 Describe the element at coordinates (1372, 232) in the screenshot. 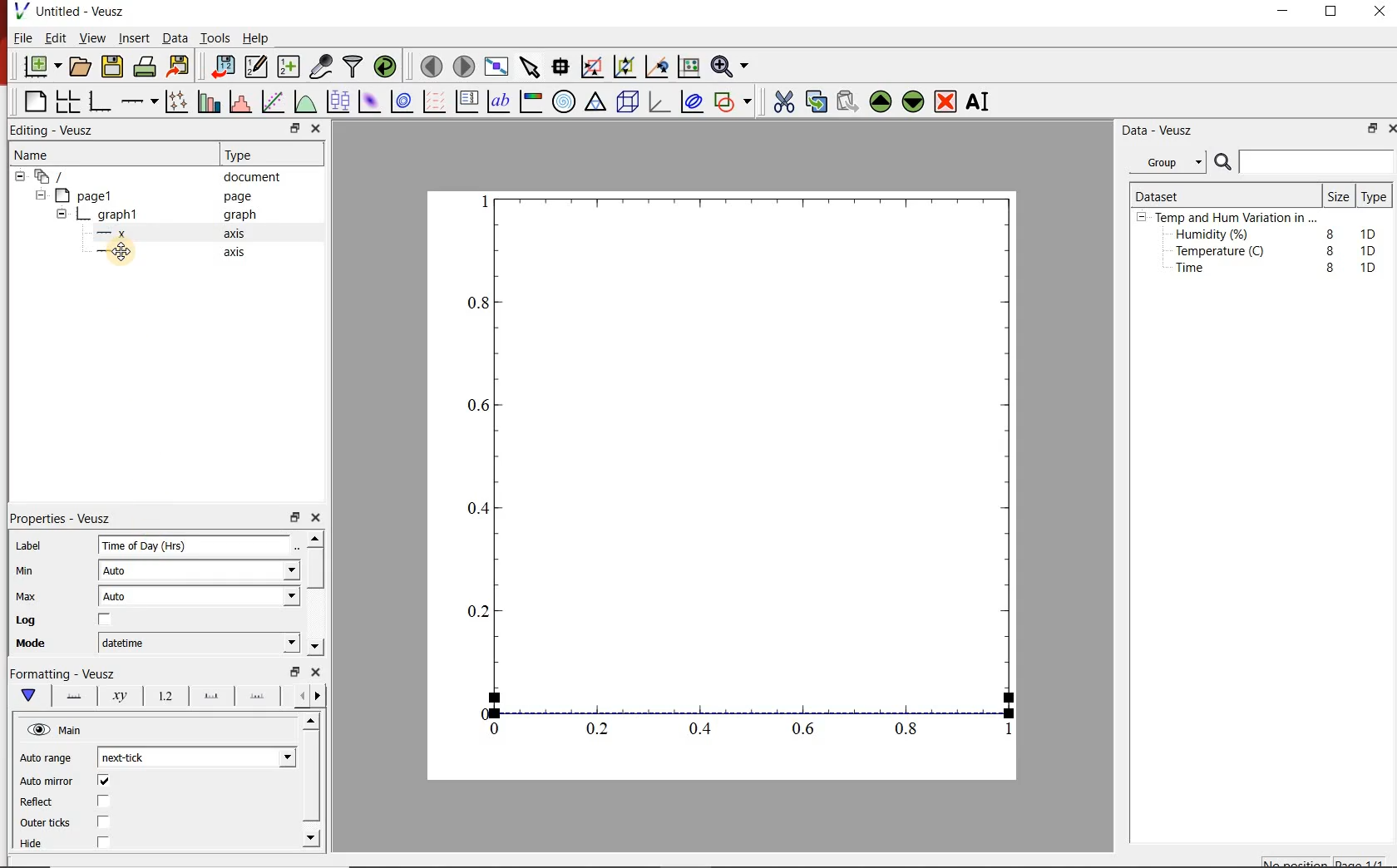

I see `1D` at that location.